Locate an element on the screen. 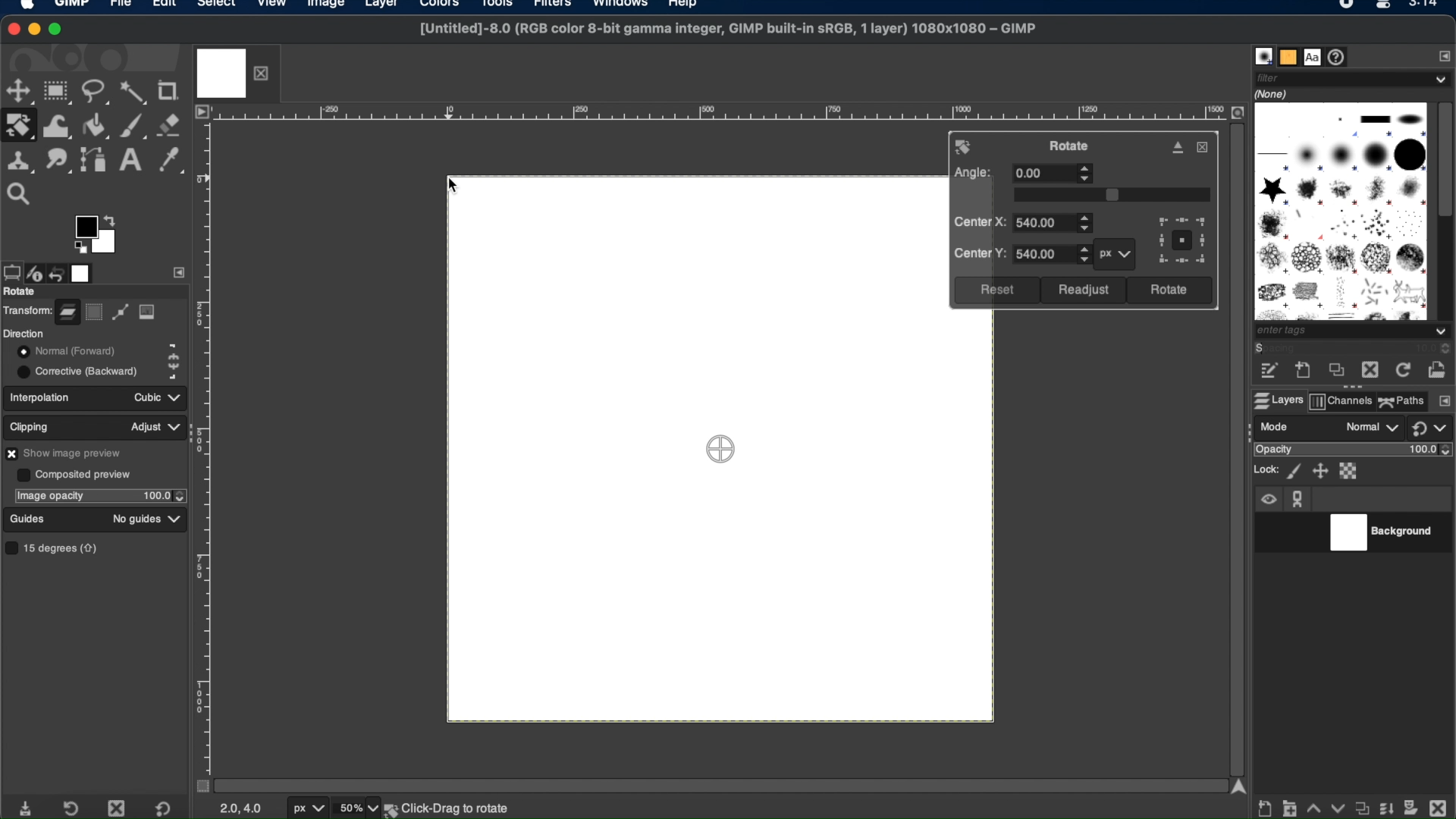  detach dialog from canvas is located at coordinates (1178, 147).